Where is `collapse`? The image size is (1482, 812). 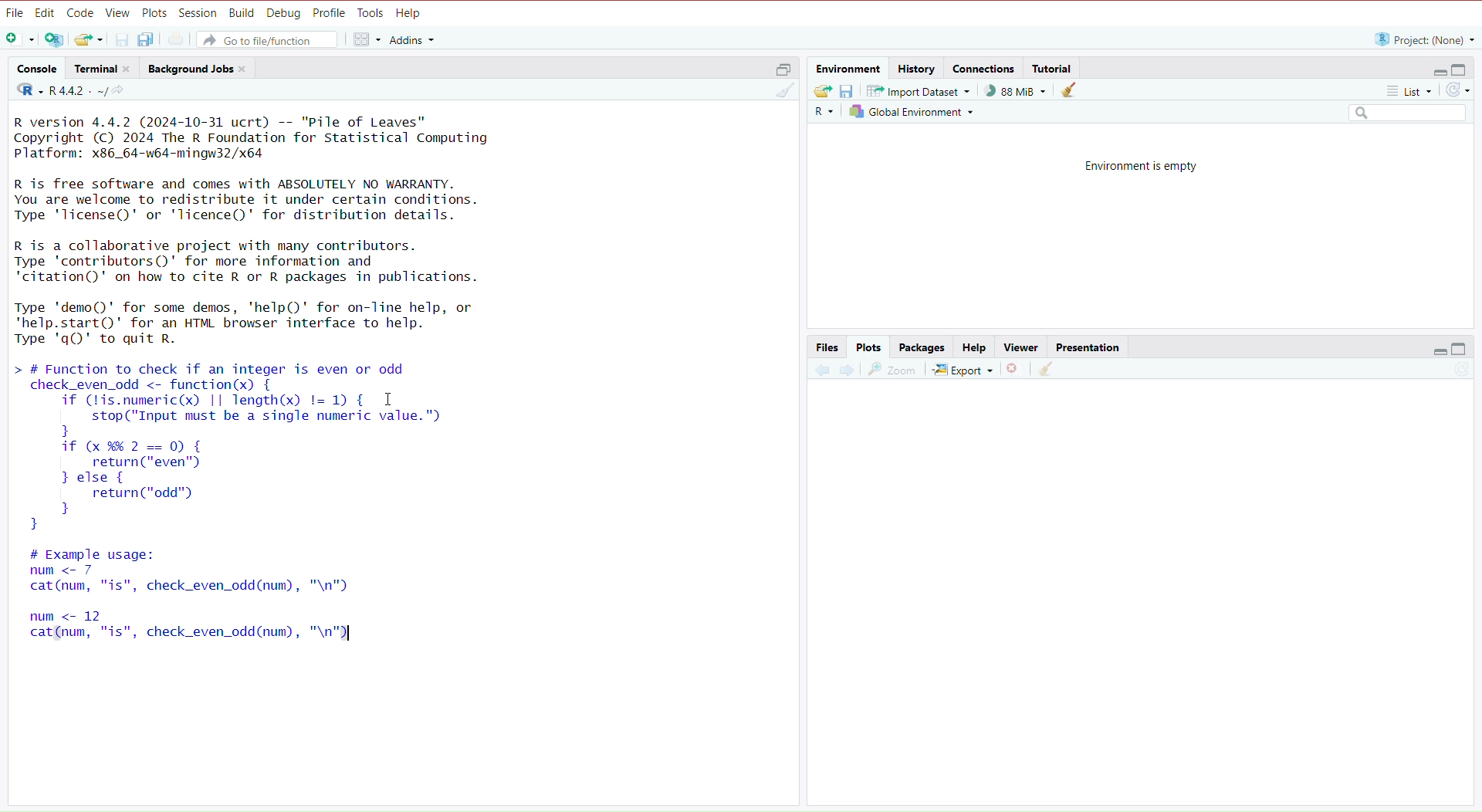 collapse is located at coordinates (1461, 349).